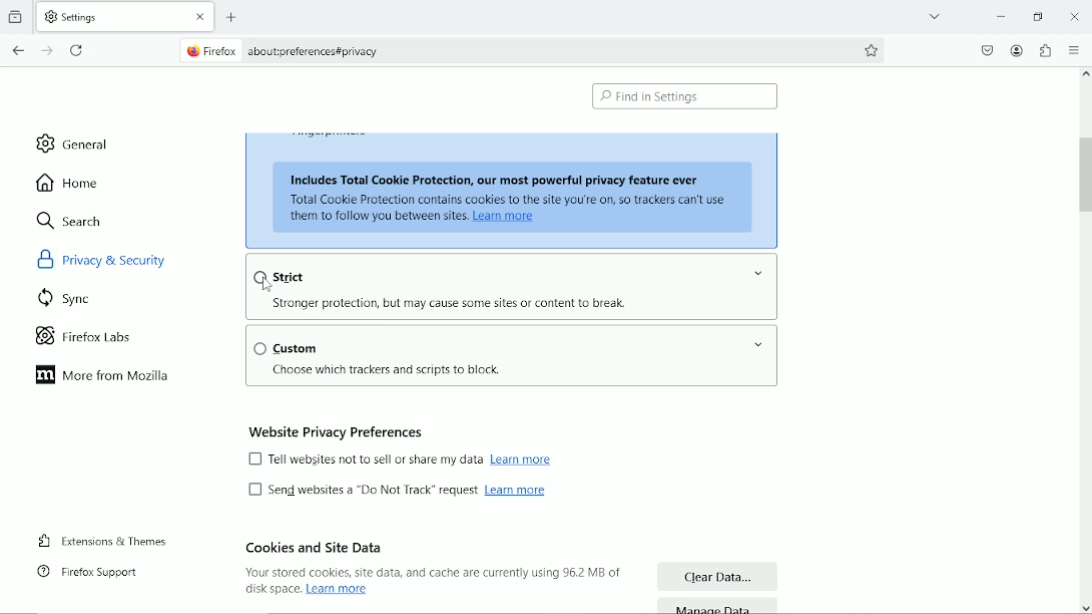 This screenshot has width=1092, height=614. I want to click on new tab, so click(233, 18).